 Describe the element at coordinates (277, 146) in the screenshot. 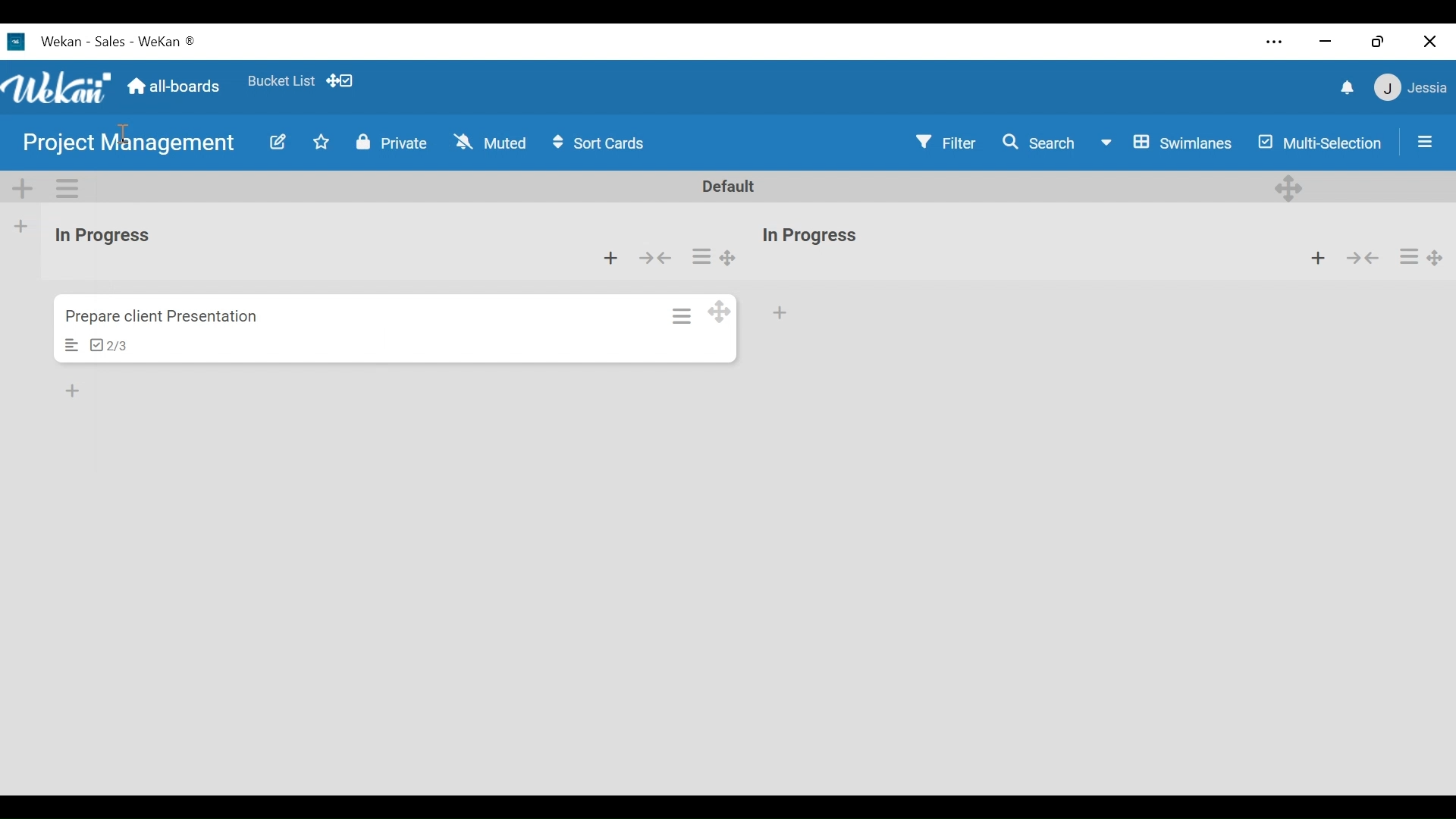

I see `Edit` at that location.